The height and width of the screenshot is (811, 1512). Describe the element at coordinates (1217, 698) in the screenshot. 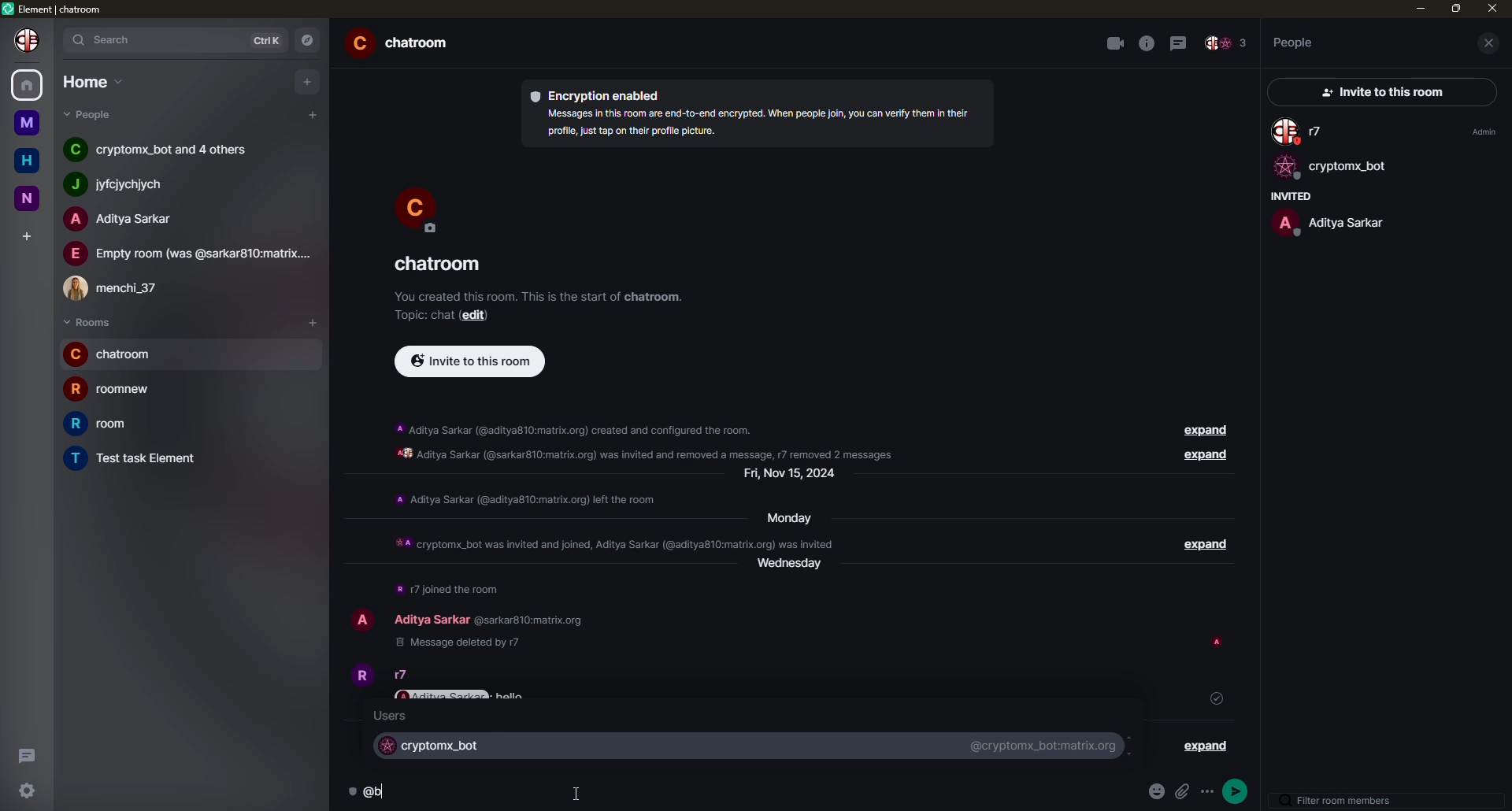

I see `sent` at that location.